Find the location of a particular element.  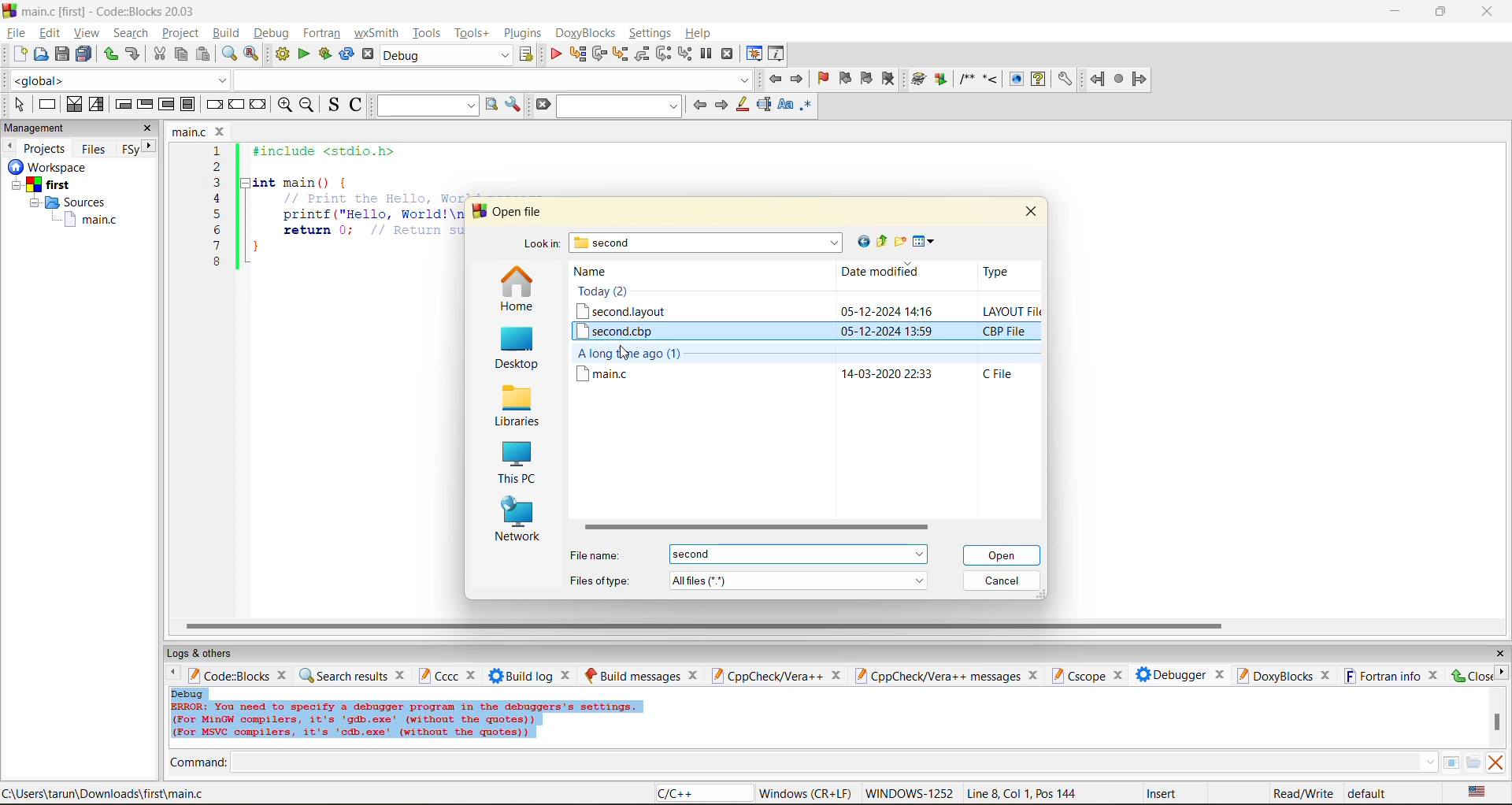

cppcheck/vera++ is located at coordinates (765, 677).